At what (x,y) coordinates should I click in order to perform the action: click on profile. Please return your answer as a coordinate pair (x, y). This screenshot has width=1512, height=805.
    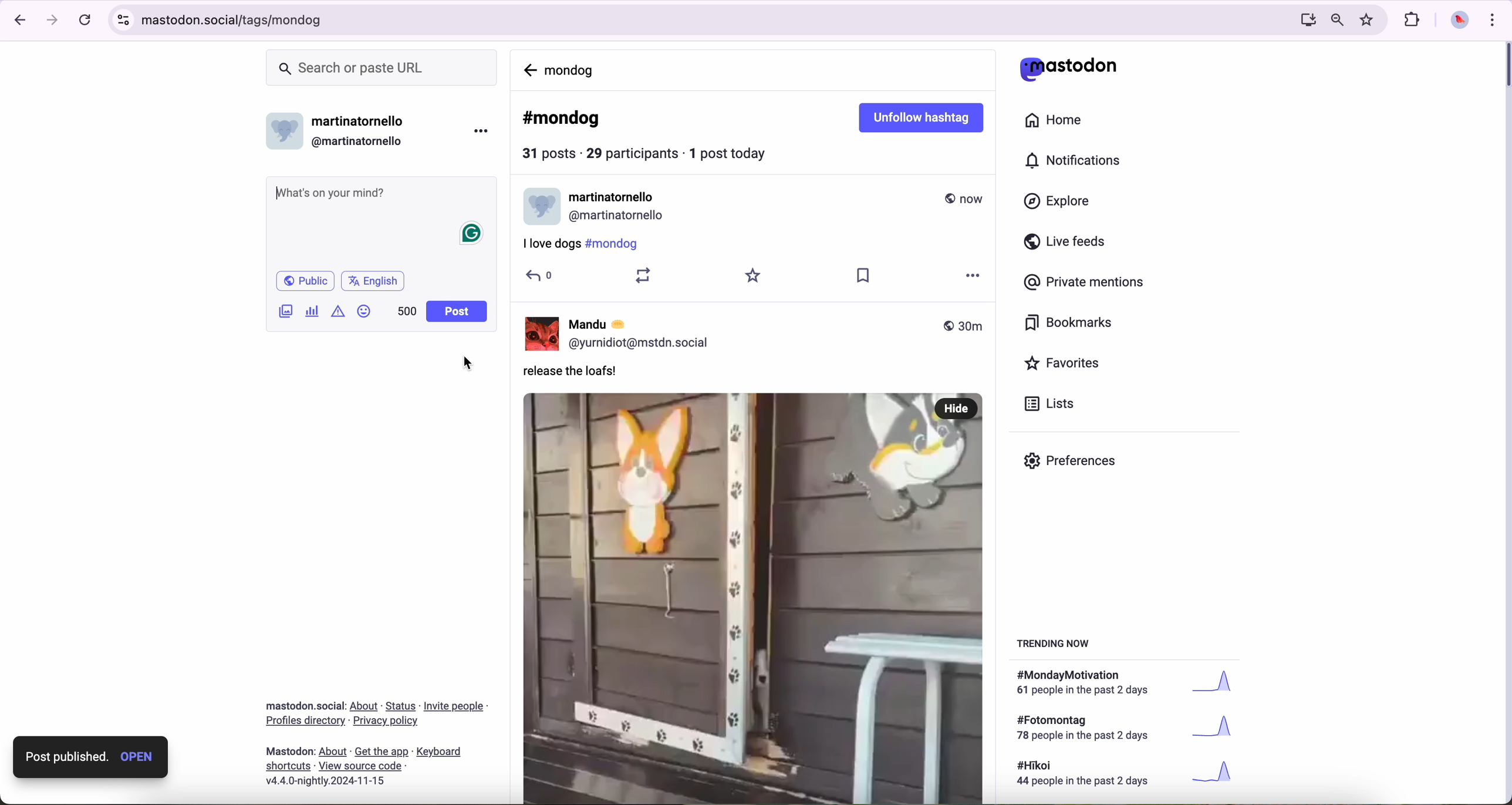
    Looking at the image, I should click on (643, 216).